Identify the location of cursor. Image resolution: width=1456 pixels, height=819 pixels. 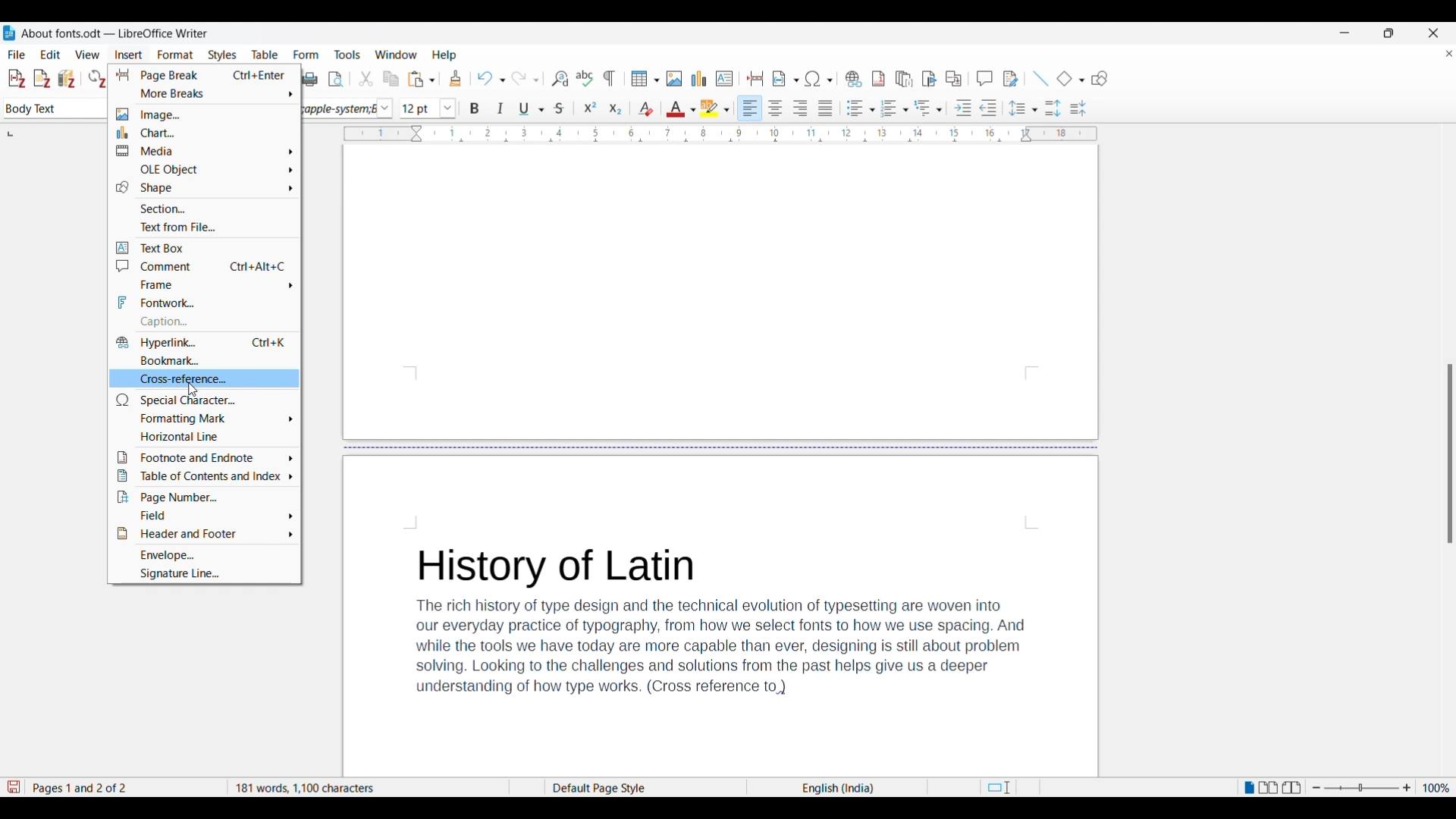
(189, 388).